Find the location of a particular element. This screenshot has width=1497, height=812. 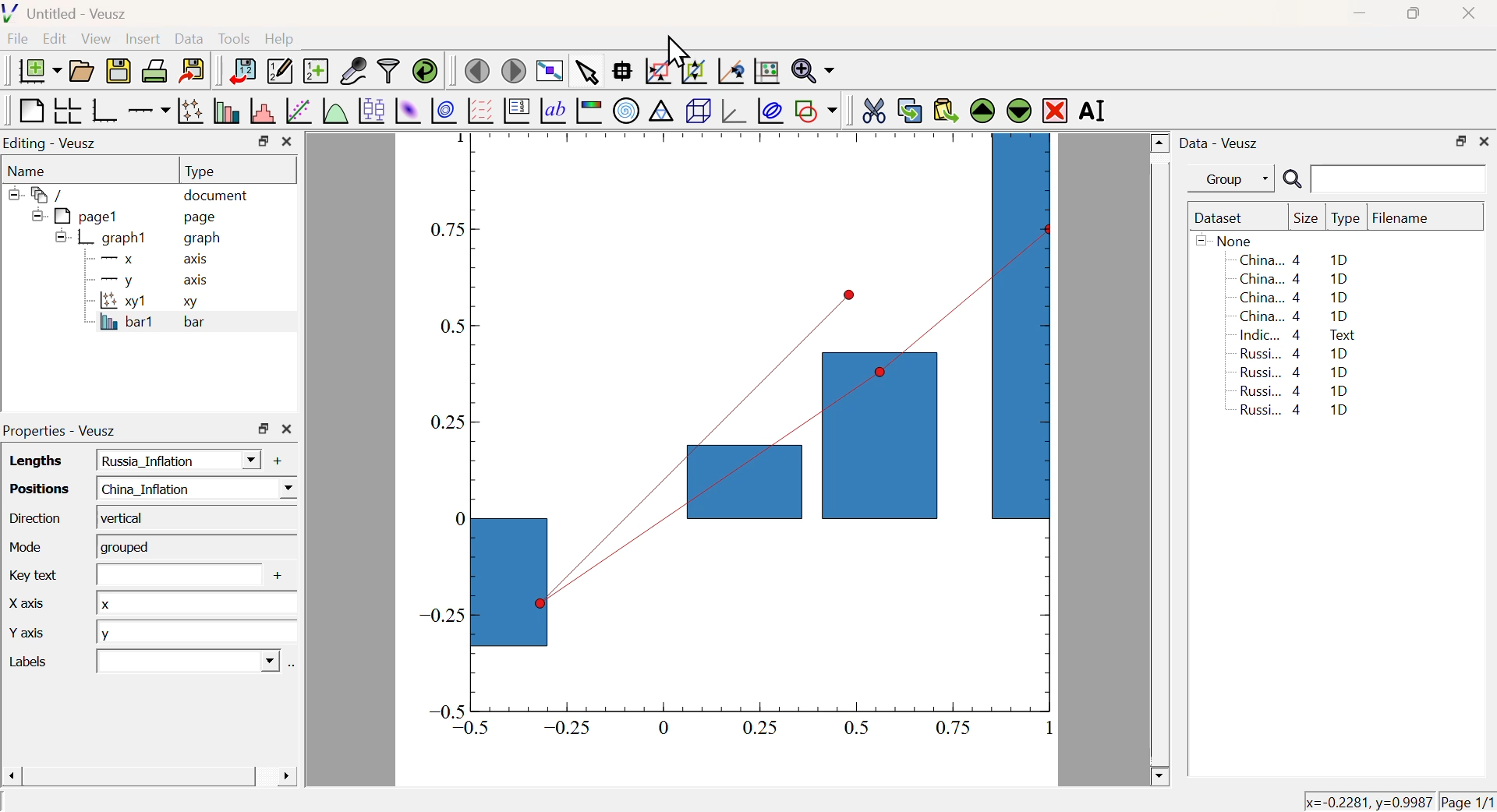

China... 4 1D is located at coordinates (1294, 316).